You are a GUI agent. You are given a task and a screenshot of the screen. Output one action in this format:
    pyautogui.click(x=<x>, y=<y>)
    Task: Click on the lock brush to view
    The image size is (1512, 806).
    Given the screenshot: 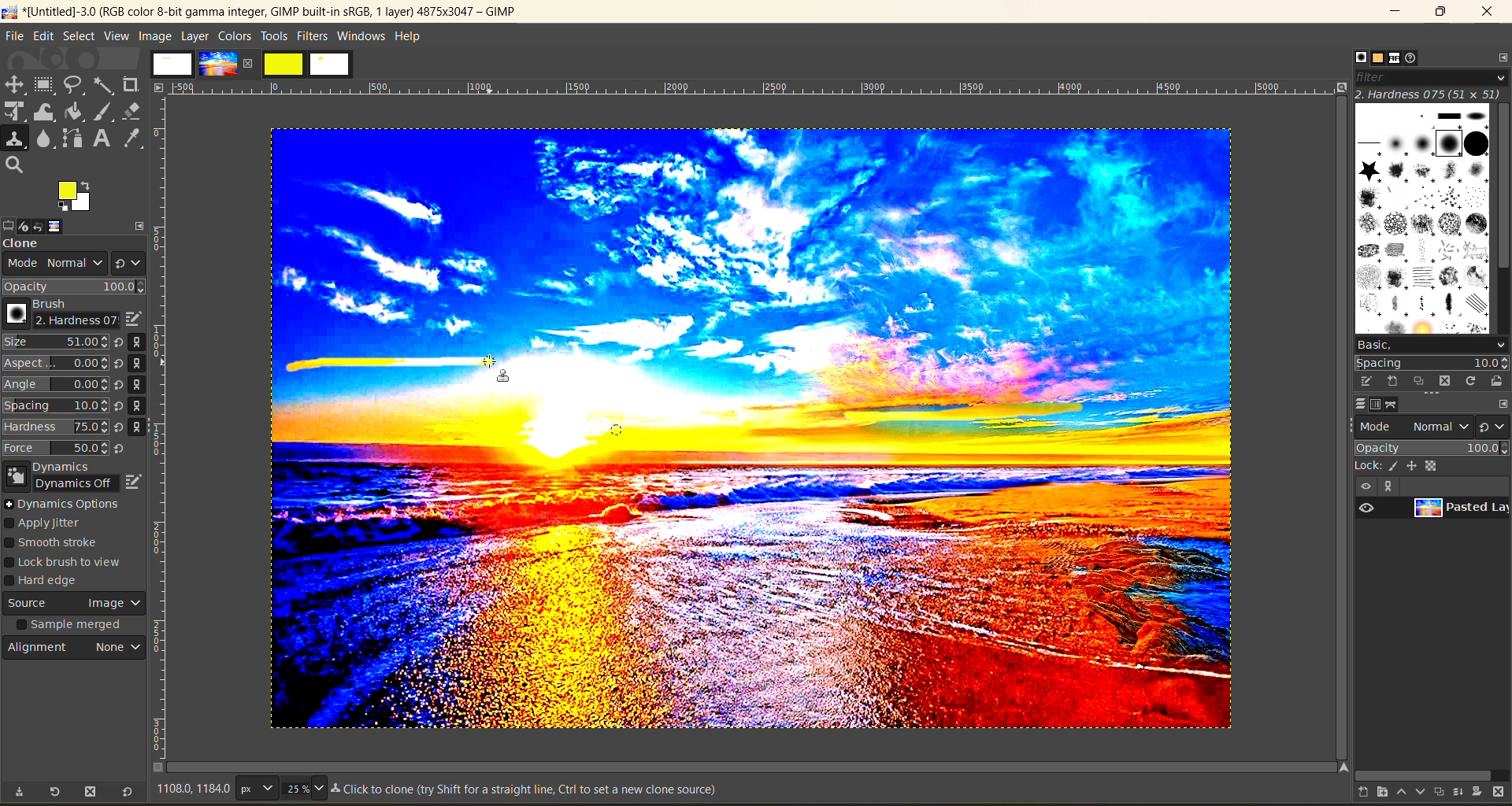 What is the action you would take?
    pyautogui.click(x=70, y=563)
    